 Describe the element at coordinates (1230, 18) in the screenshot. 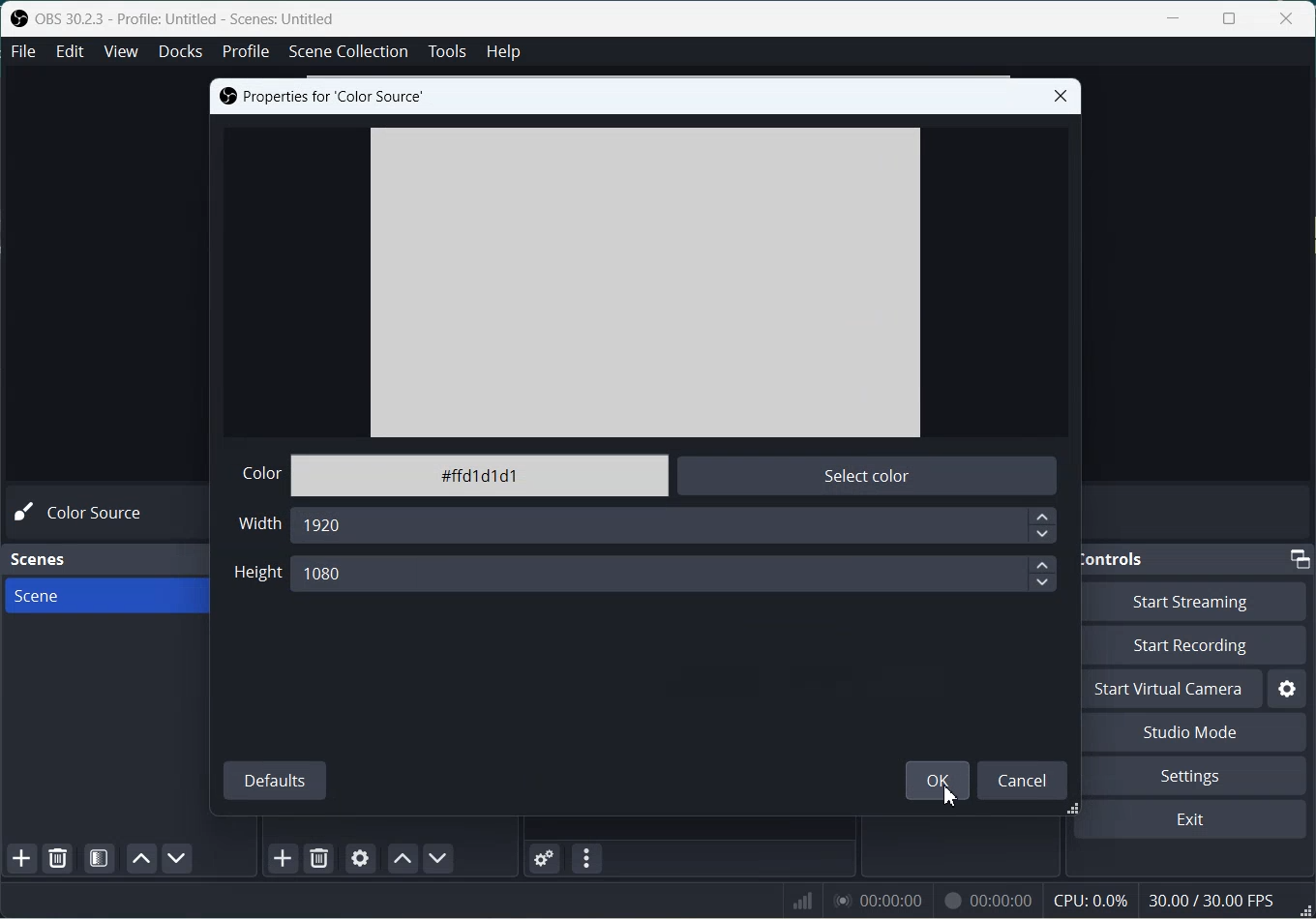

I see `Maximize` at that location.